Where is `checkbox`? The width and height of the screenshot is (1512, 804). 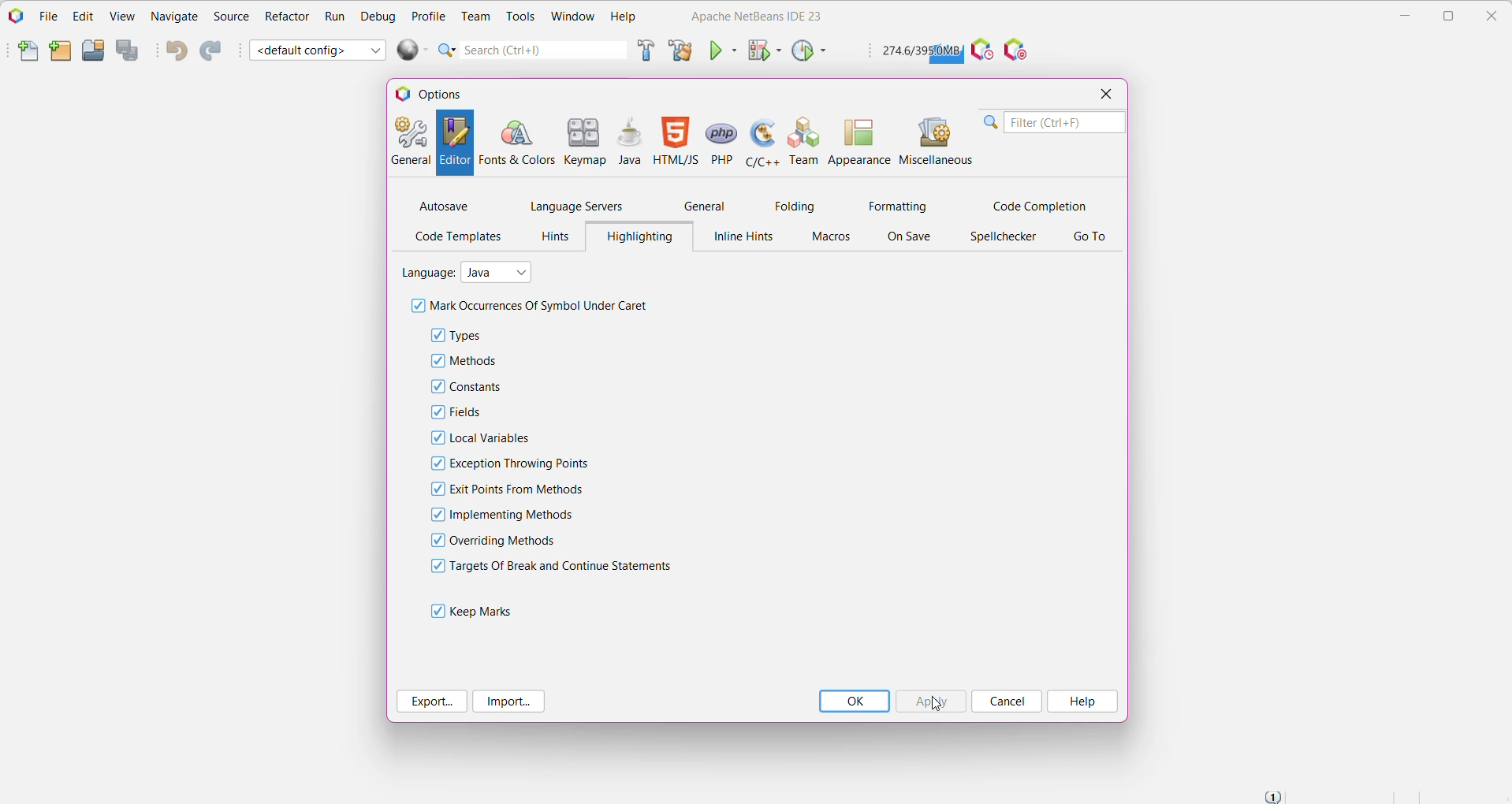 checkbox is located at coordinates (434, 516).